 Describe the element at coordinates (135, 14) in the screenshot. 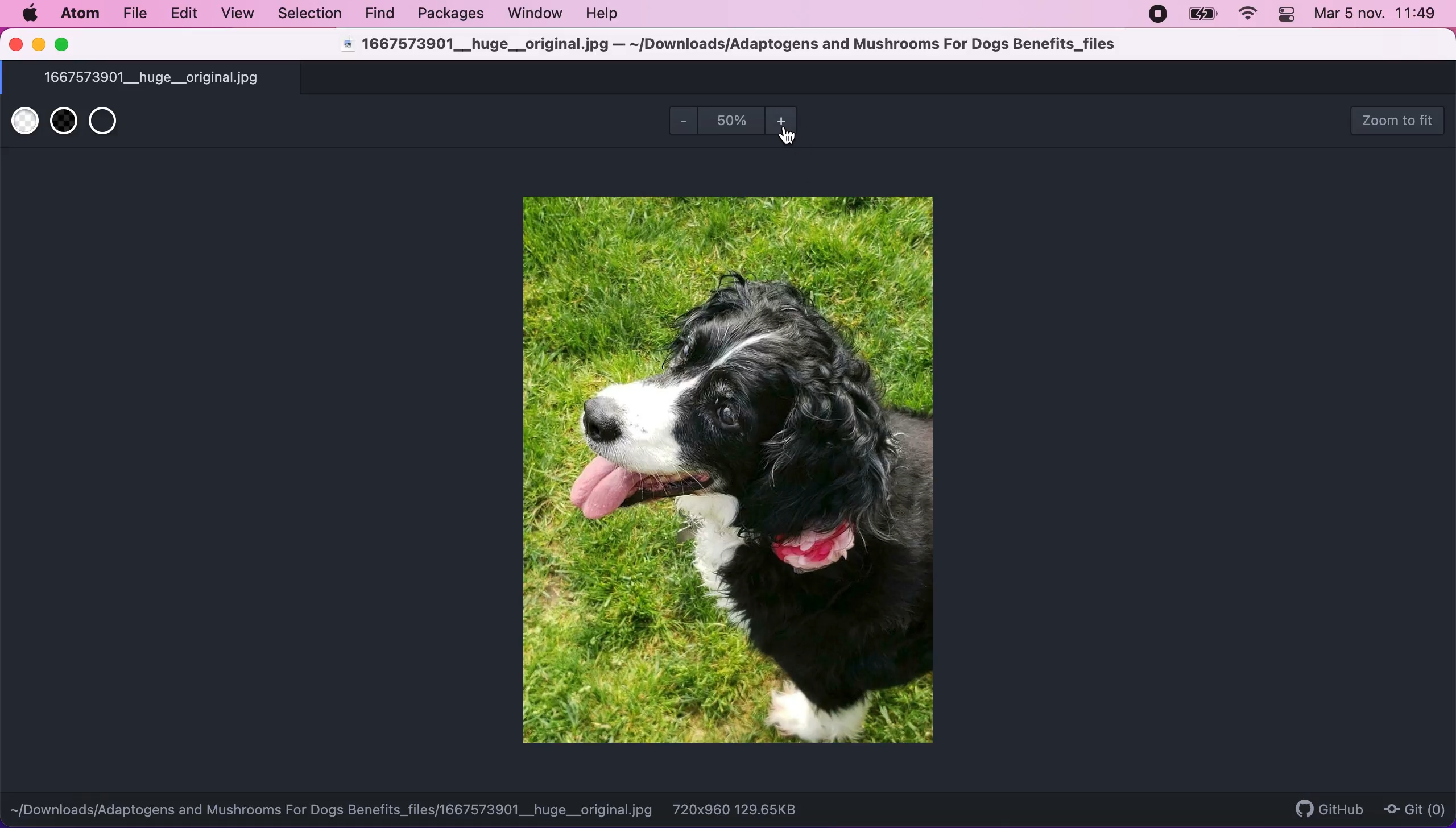

I see `file` at that location.